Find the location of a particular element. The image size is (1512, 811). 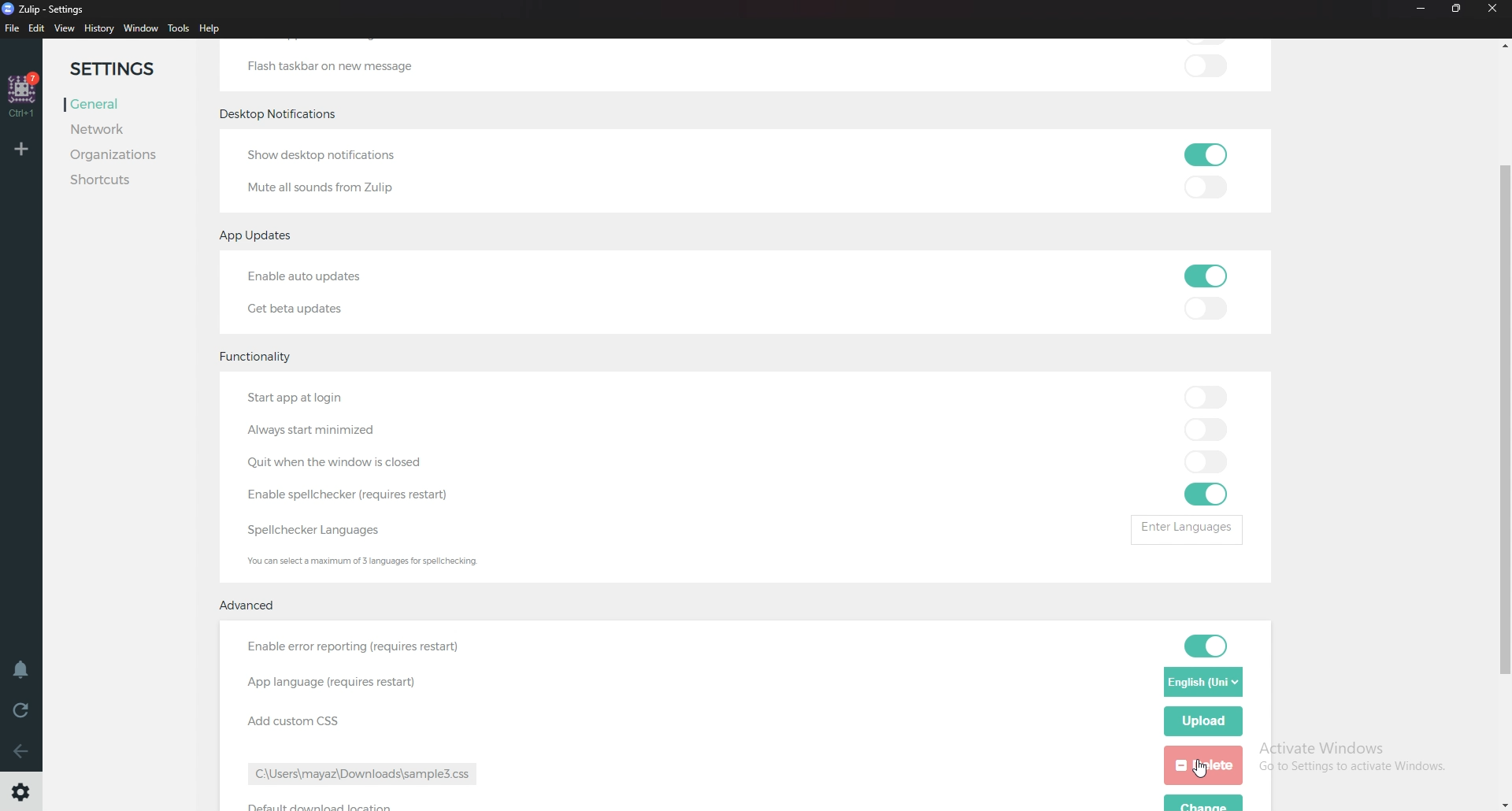

enable error reporting is located at coordinates (354, 648).